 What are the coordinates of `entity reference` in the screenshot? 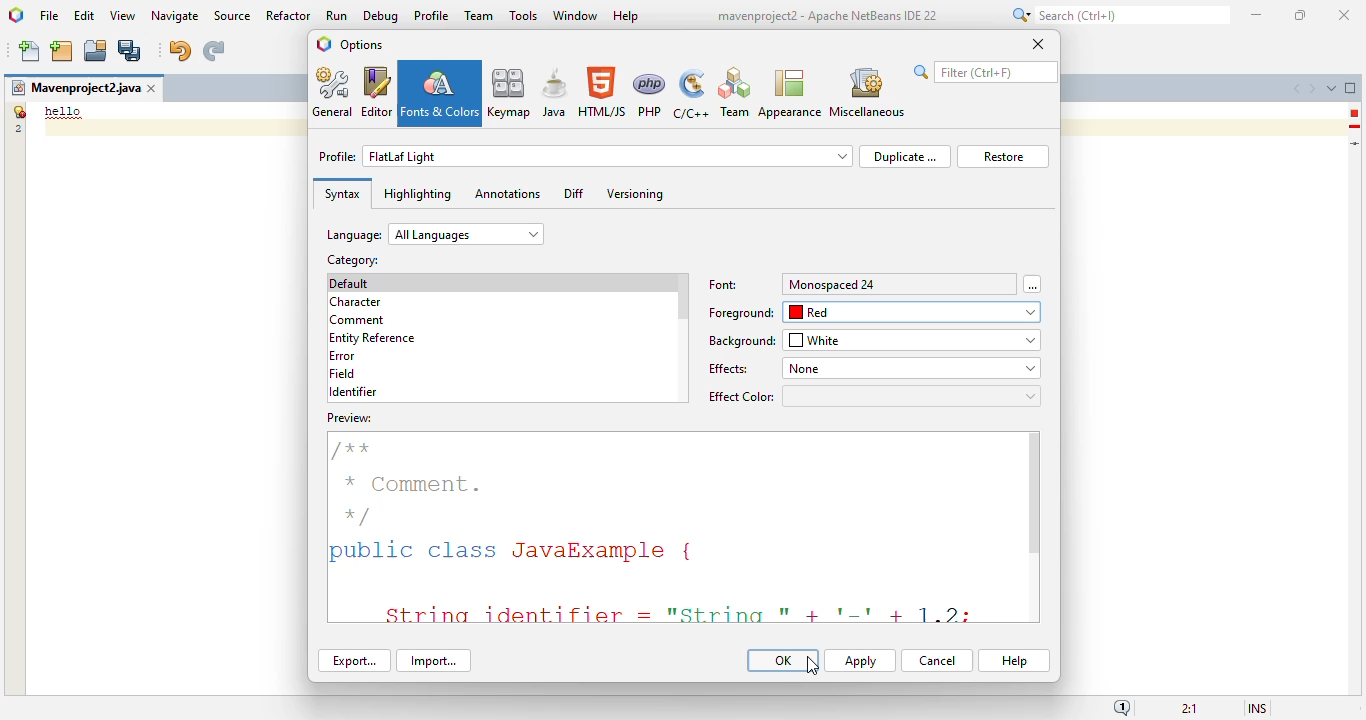 It's located at (373, 339).